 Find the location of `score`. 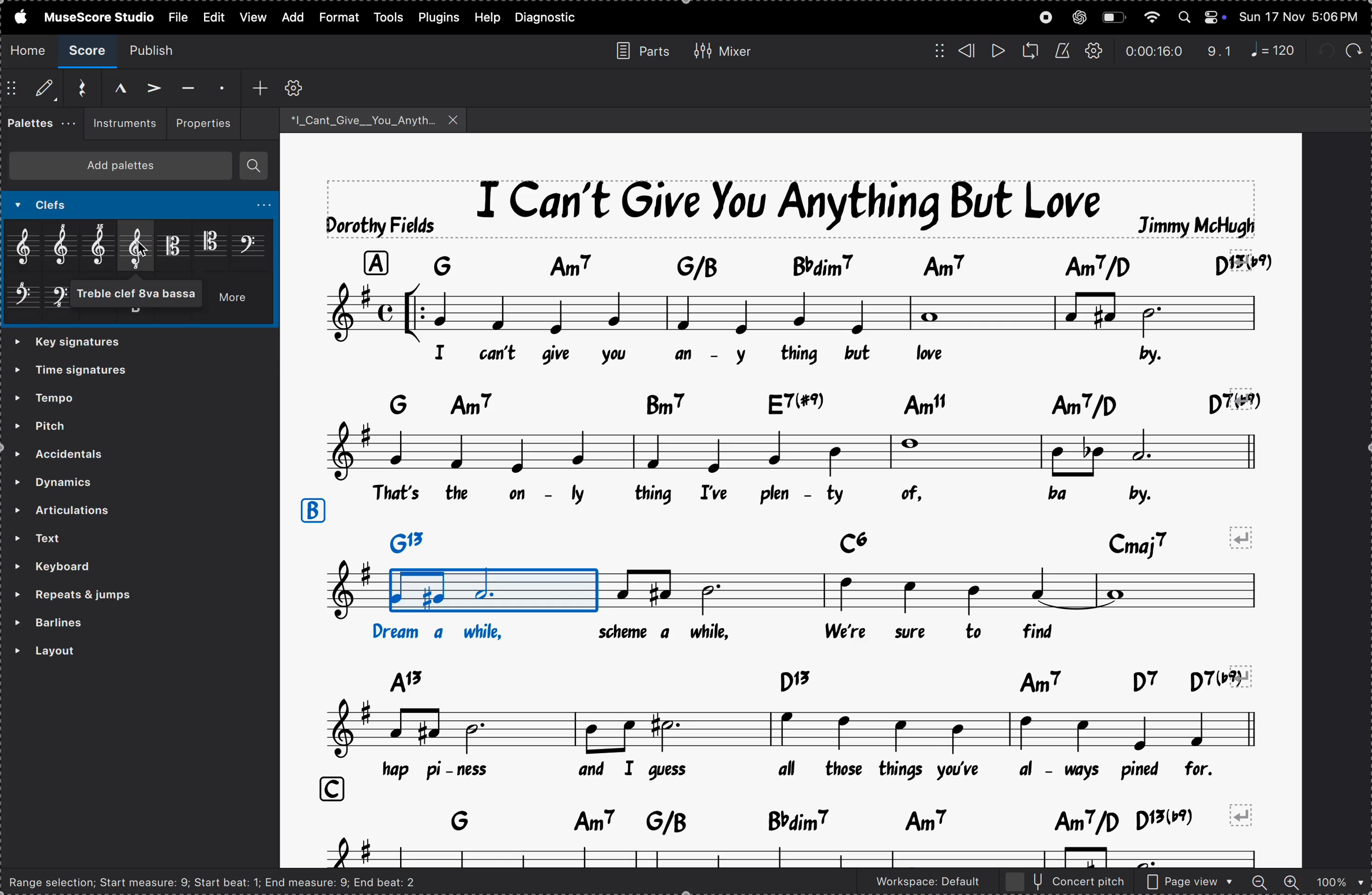

score is located at coordinates (89, 51).